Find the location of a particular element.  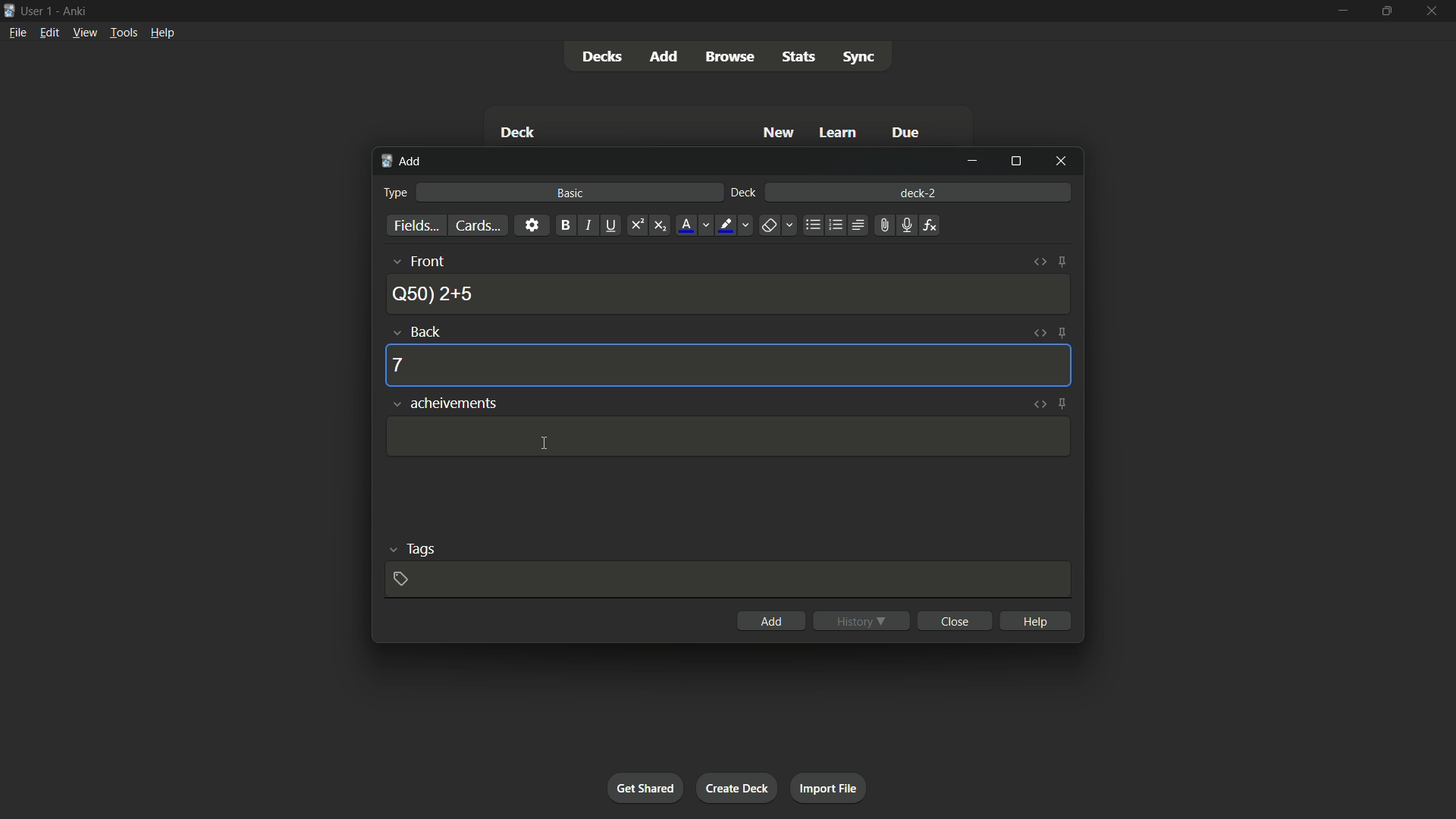

equations is located at coordinates (930, 225).